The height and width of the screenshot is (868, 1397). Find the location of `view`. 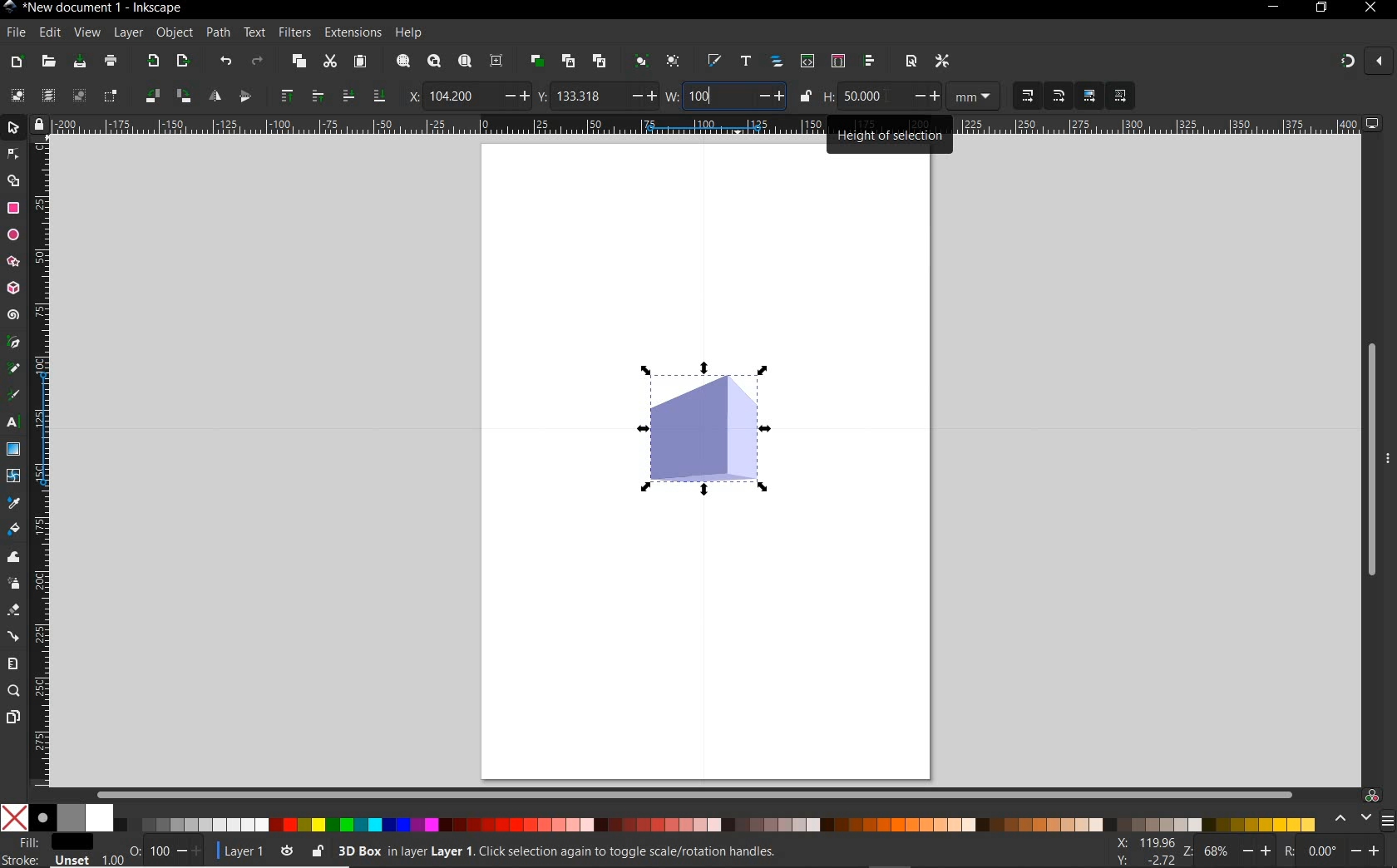

view is located at coordinates (86, 33).